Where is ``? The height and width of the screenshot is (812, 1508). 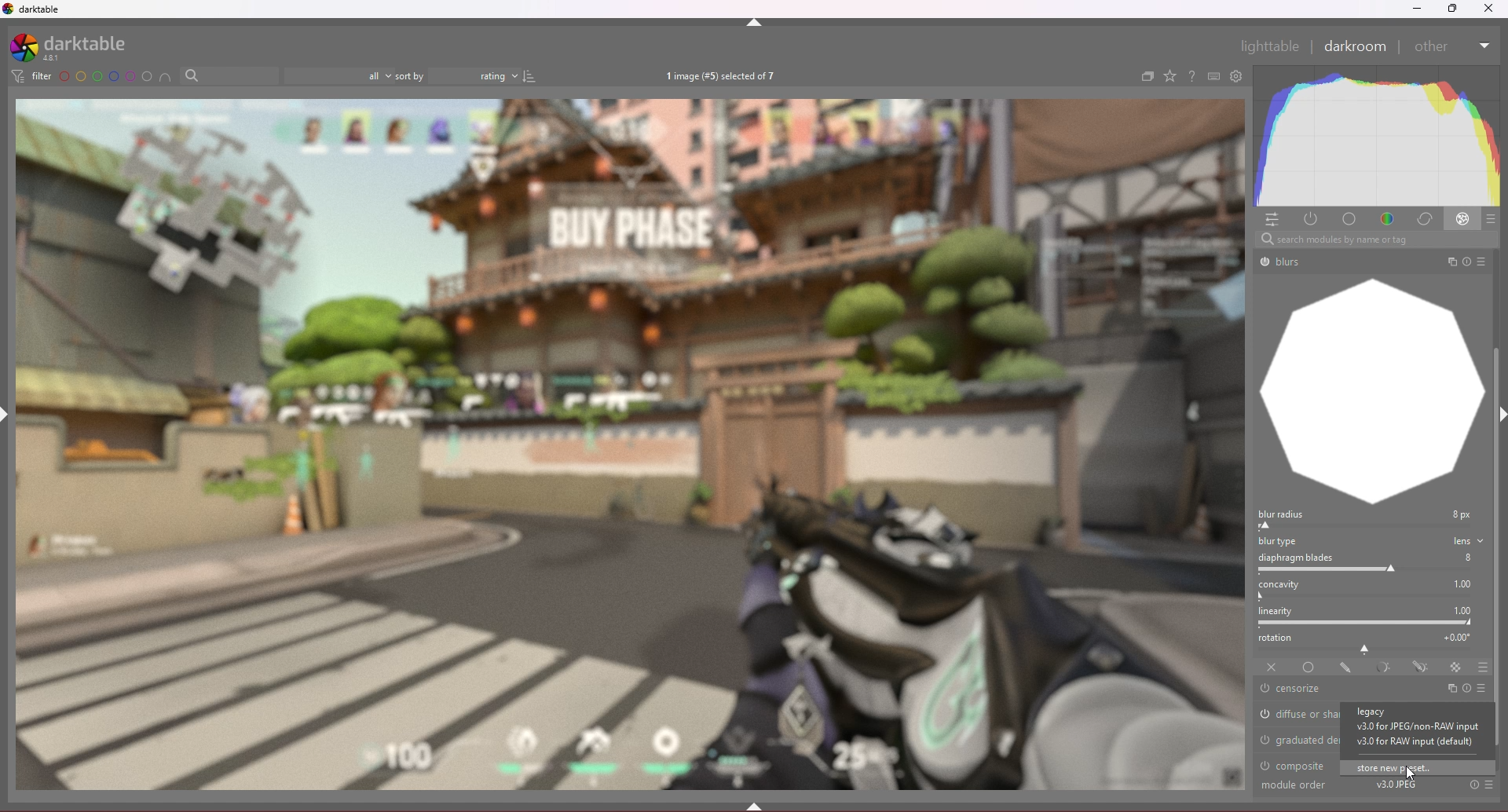  is located at coordinates (1300, 786).